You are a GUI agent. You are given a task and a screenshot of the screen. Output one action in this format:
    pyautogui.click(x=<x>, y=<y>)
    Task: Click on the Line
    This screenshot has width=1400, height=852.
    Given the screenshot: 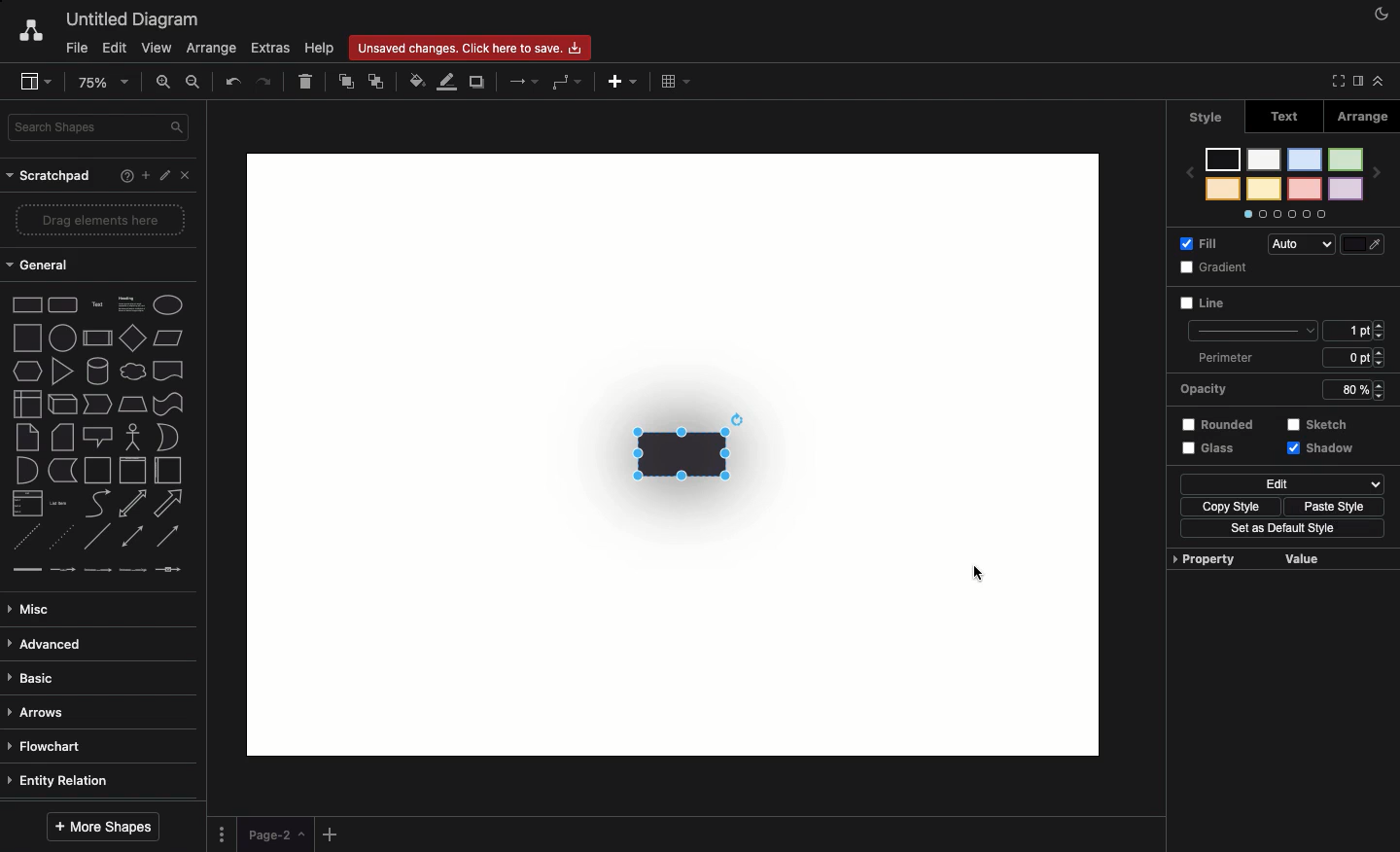 What is the action you would take?
    pyautogui.click(x=1209, y=307)
    